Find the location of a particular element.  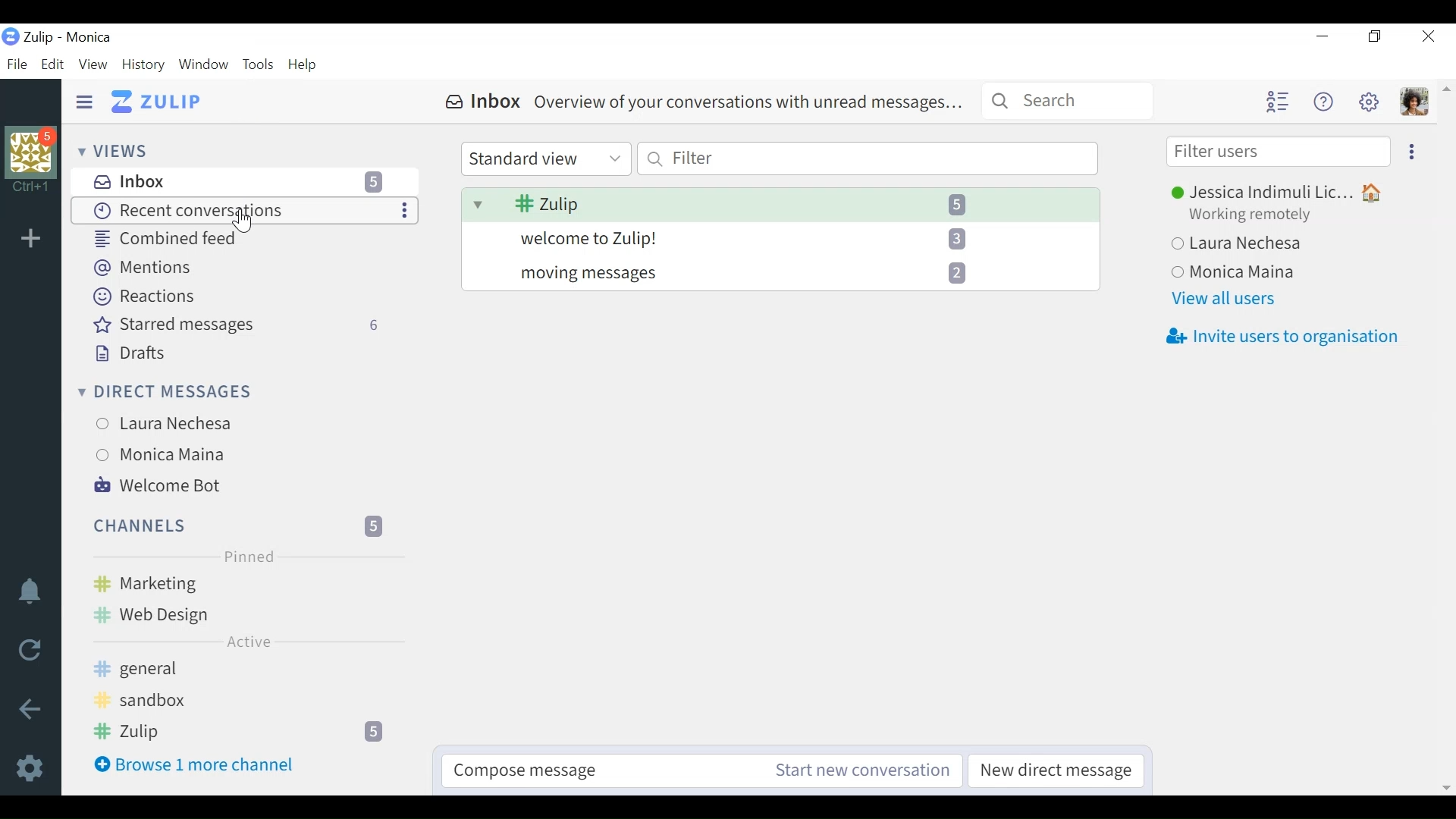

Zulip is located at coordinates (777, 203).